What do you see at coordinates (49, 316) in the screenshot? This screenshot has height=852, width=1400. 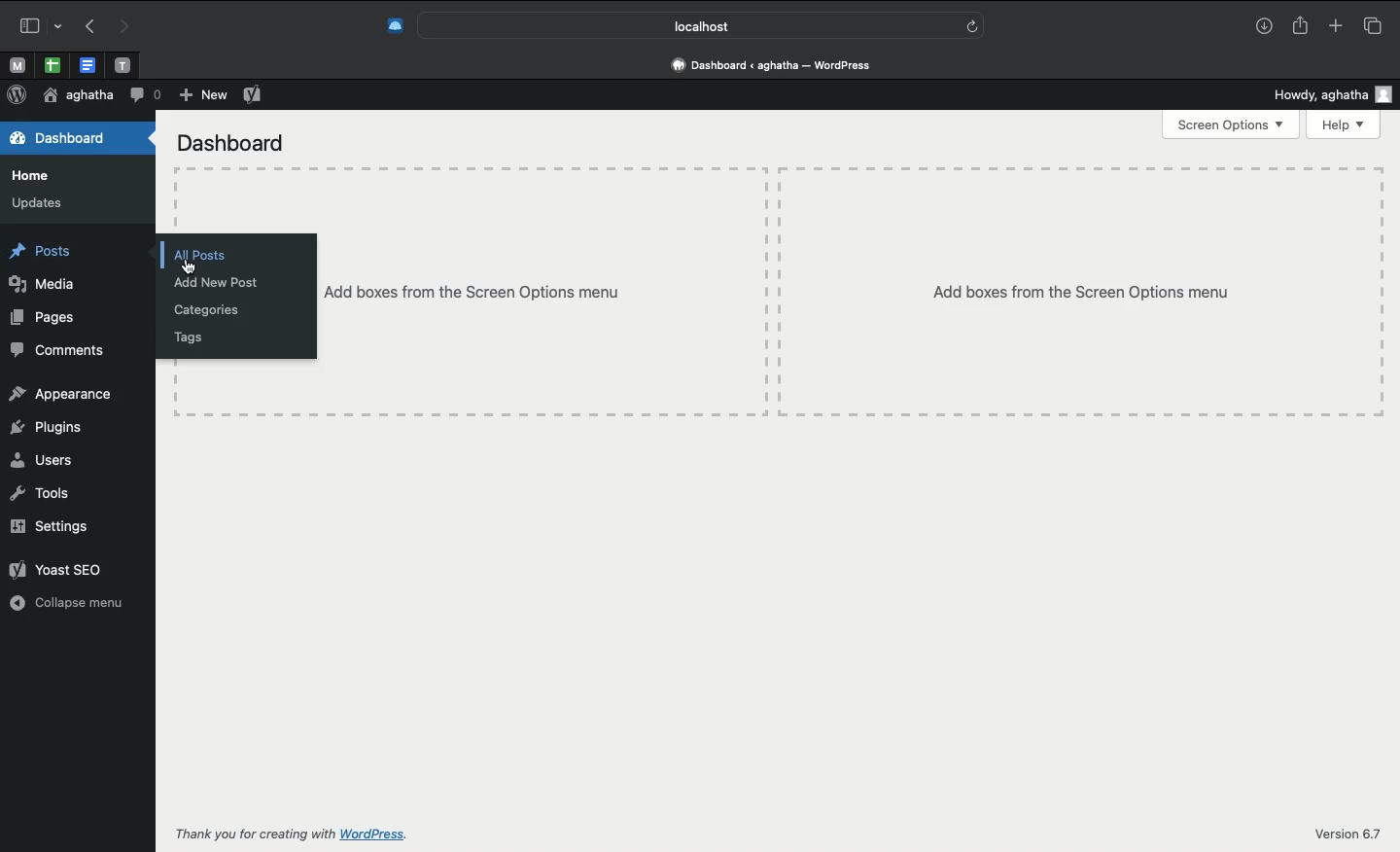 I see `Pages` at bounding box center [49, 316].